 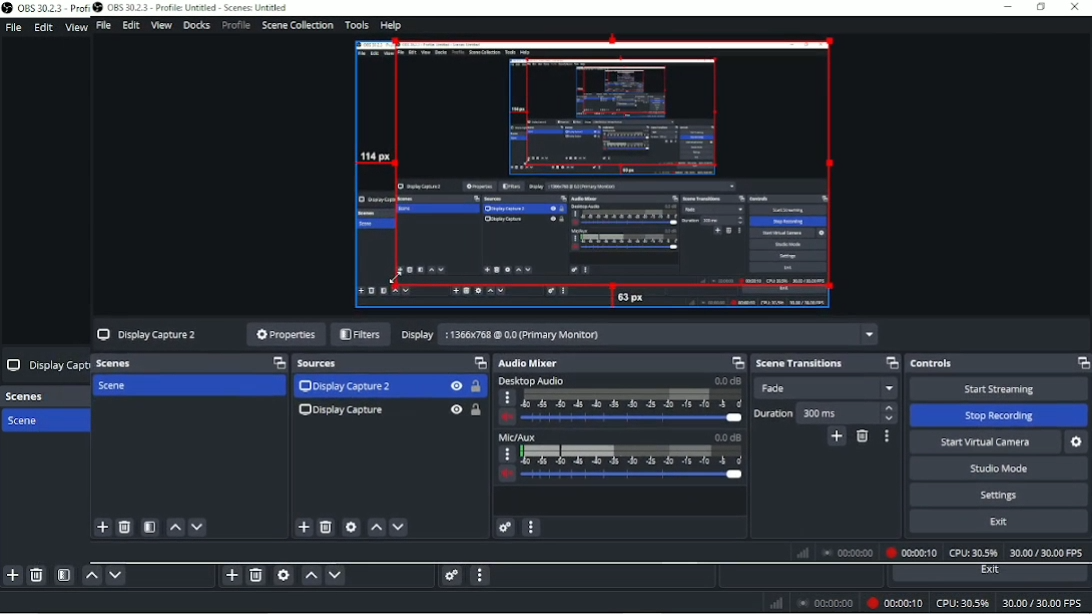 I want to click on 00:00:10, so click(x=914, y=551).